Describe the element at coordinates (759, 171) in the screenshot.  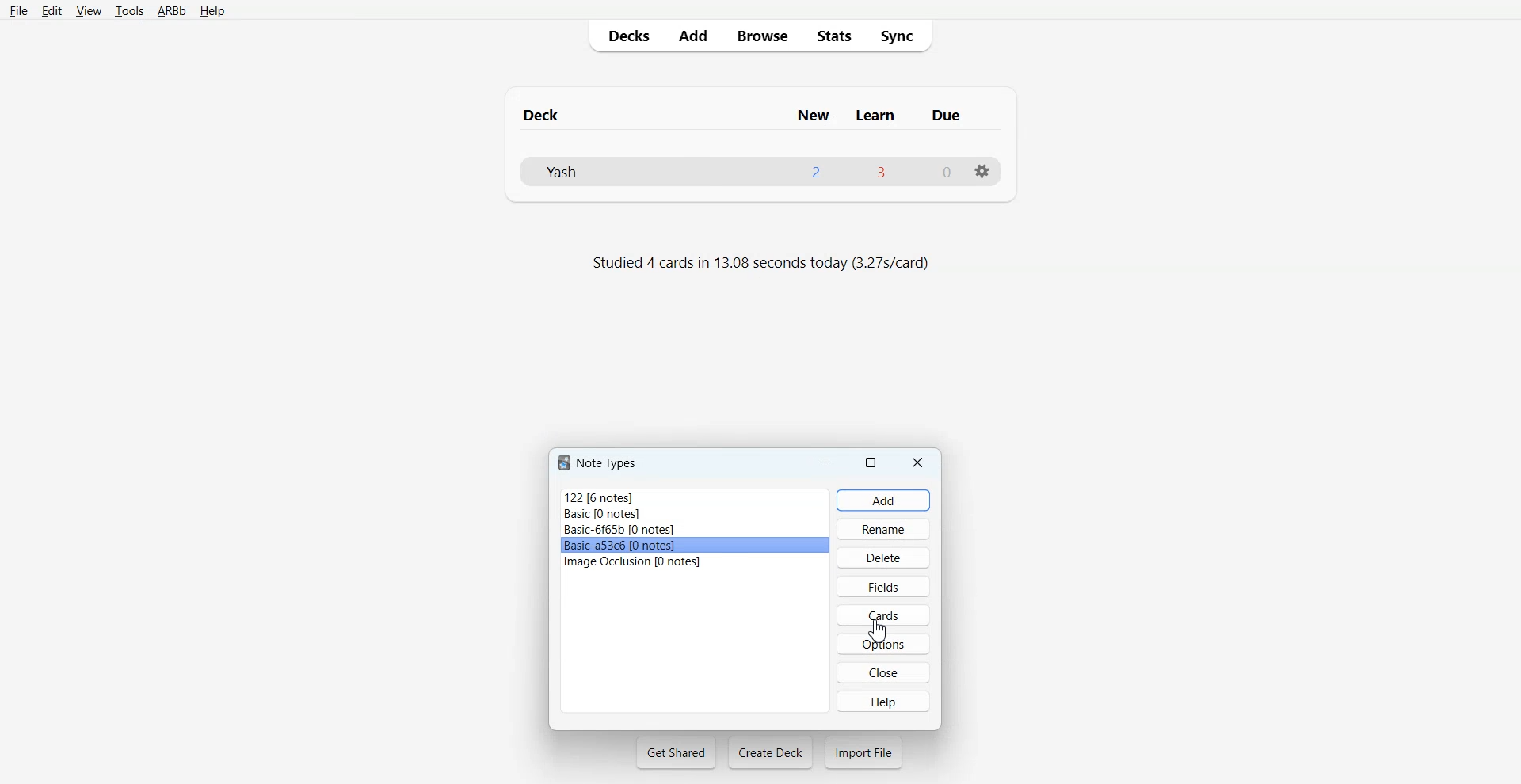
I see `Deck File Yash ` at that location.